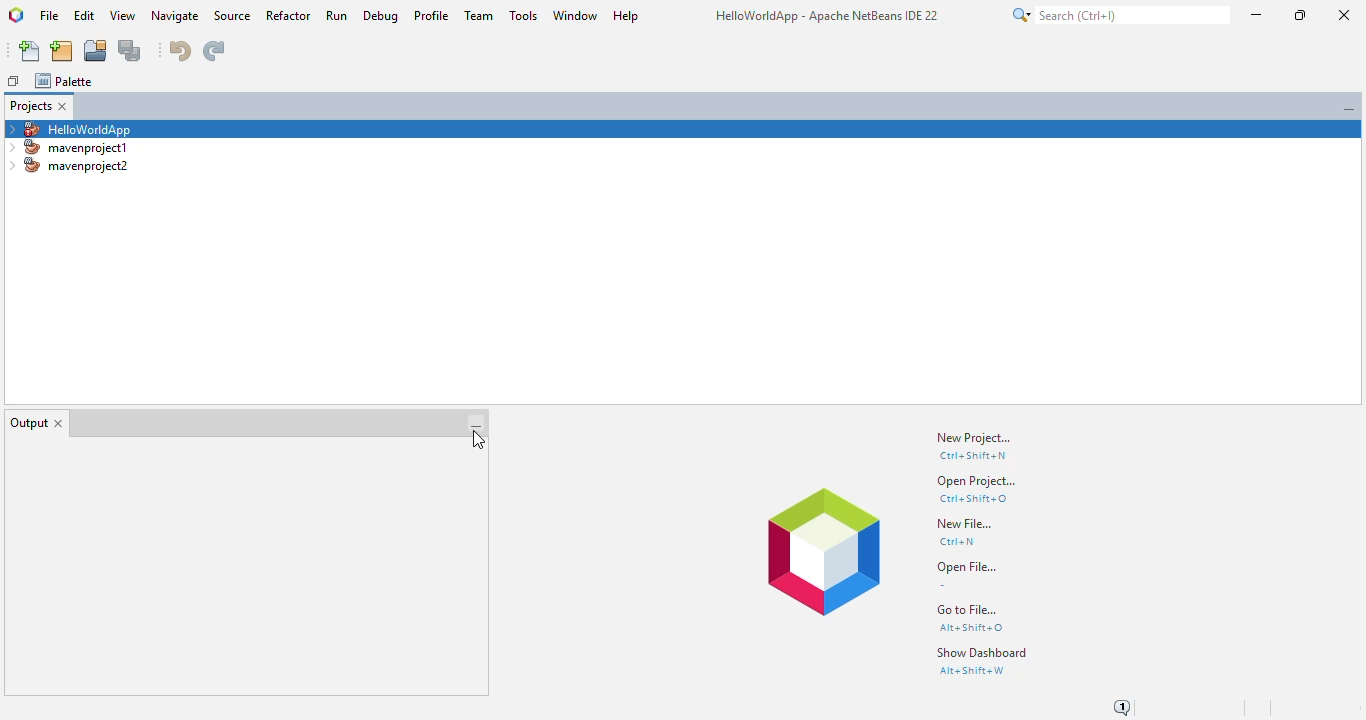 The image size is (1366, 720). Describe the element at coordinates (213, 51) in the screenshot. I see `redo` at that location.